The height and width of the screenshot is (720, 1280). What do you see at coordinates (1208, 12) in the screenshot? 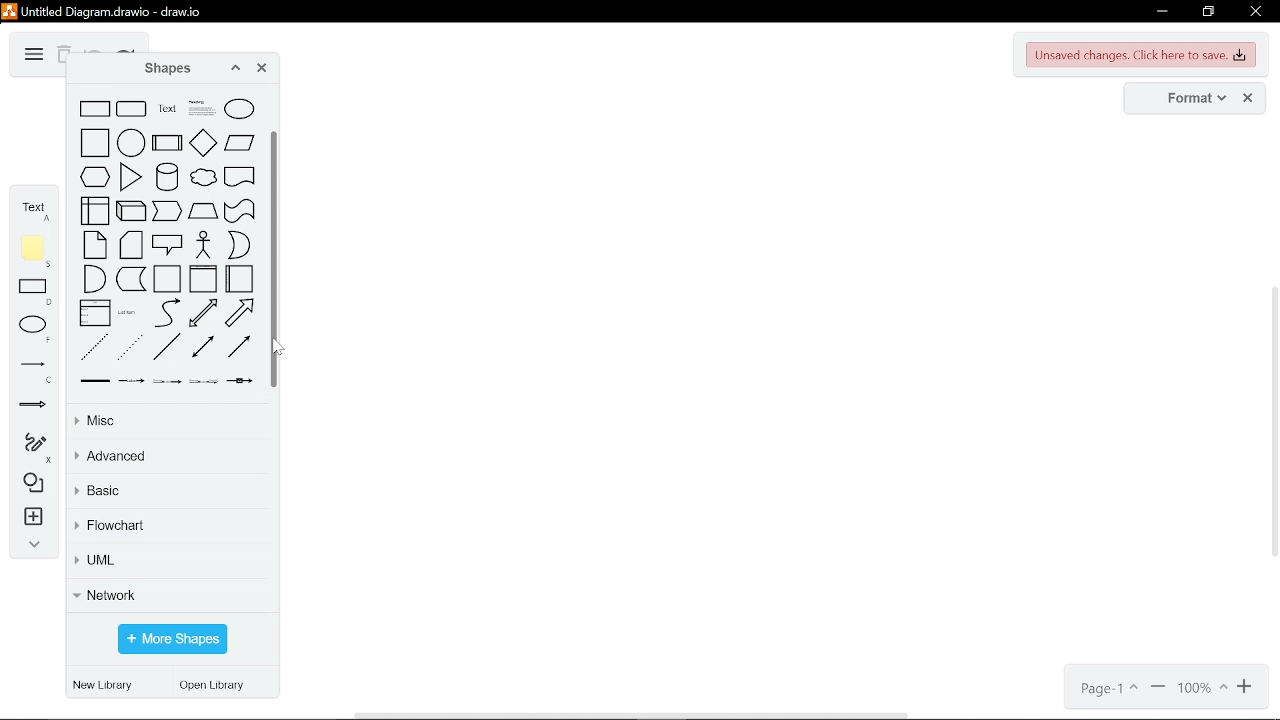
I see `restore down` at bounding box center [1208, 12].